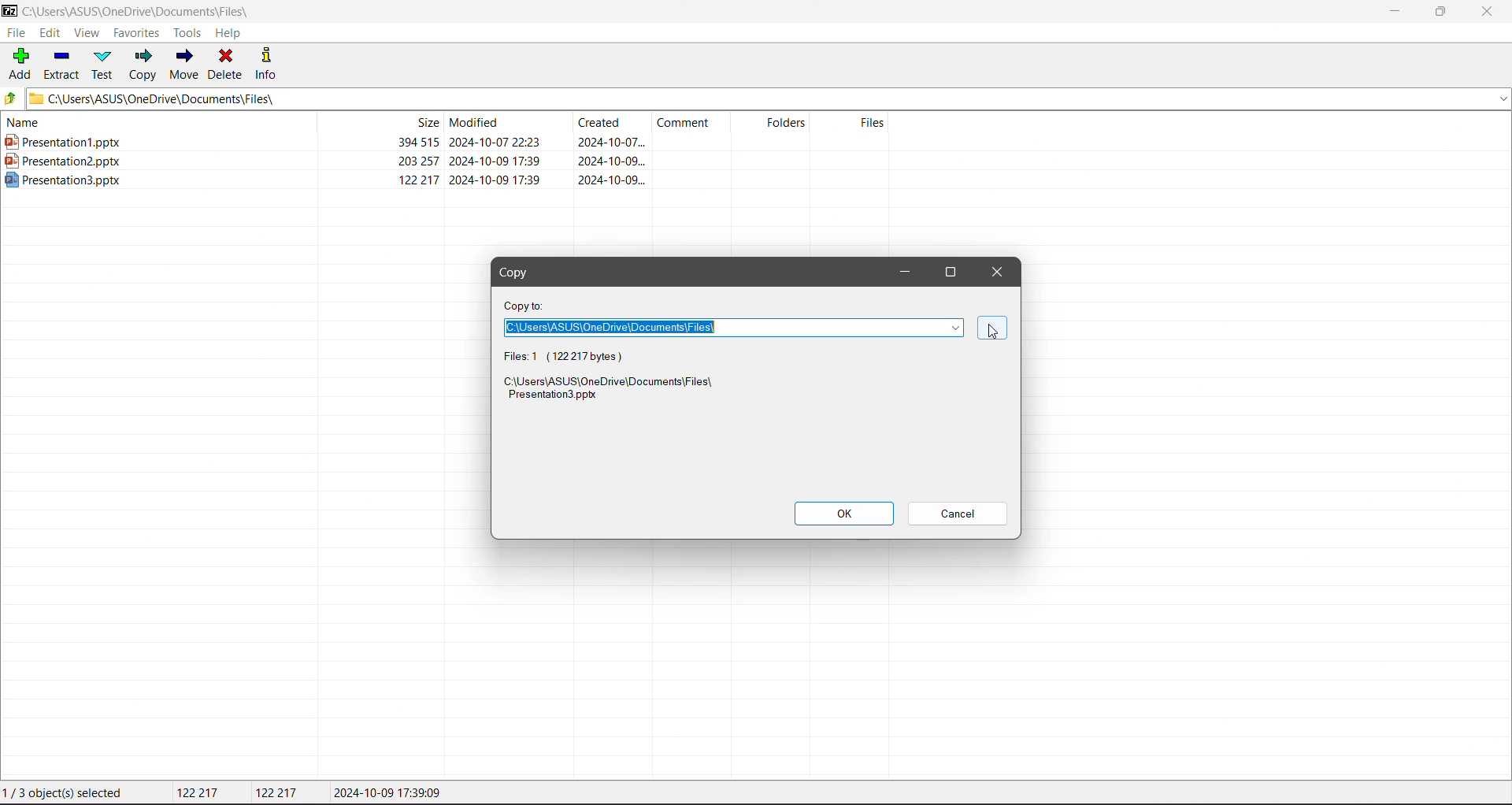  I want to click on Add, so click(21, 63).